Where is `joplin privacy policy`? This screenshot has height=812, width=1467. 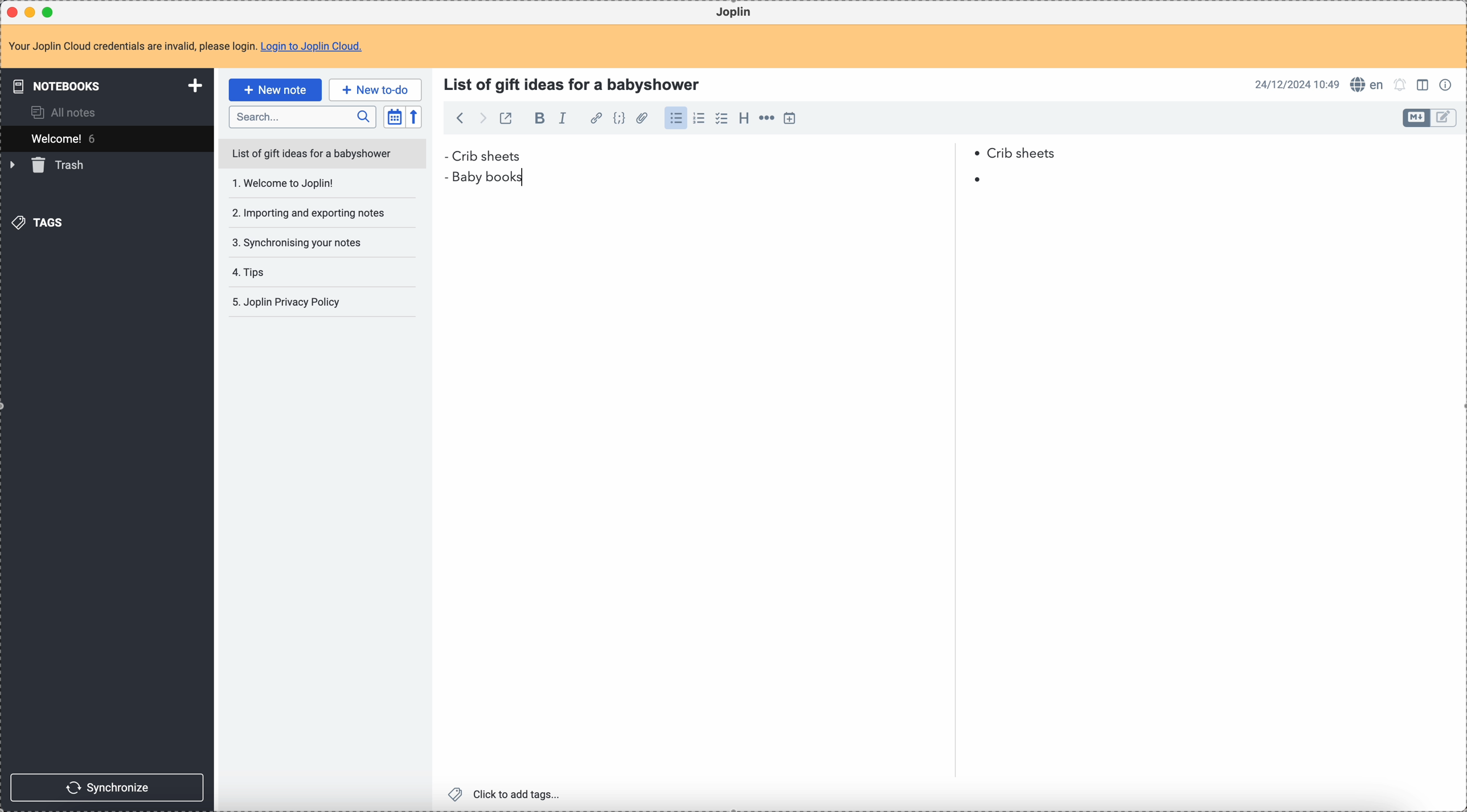 joplin privacy policy is located at coordinates (290, 304).